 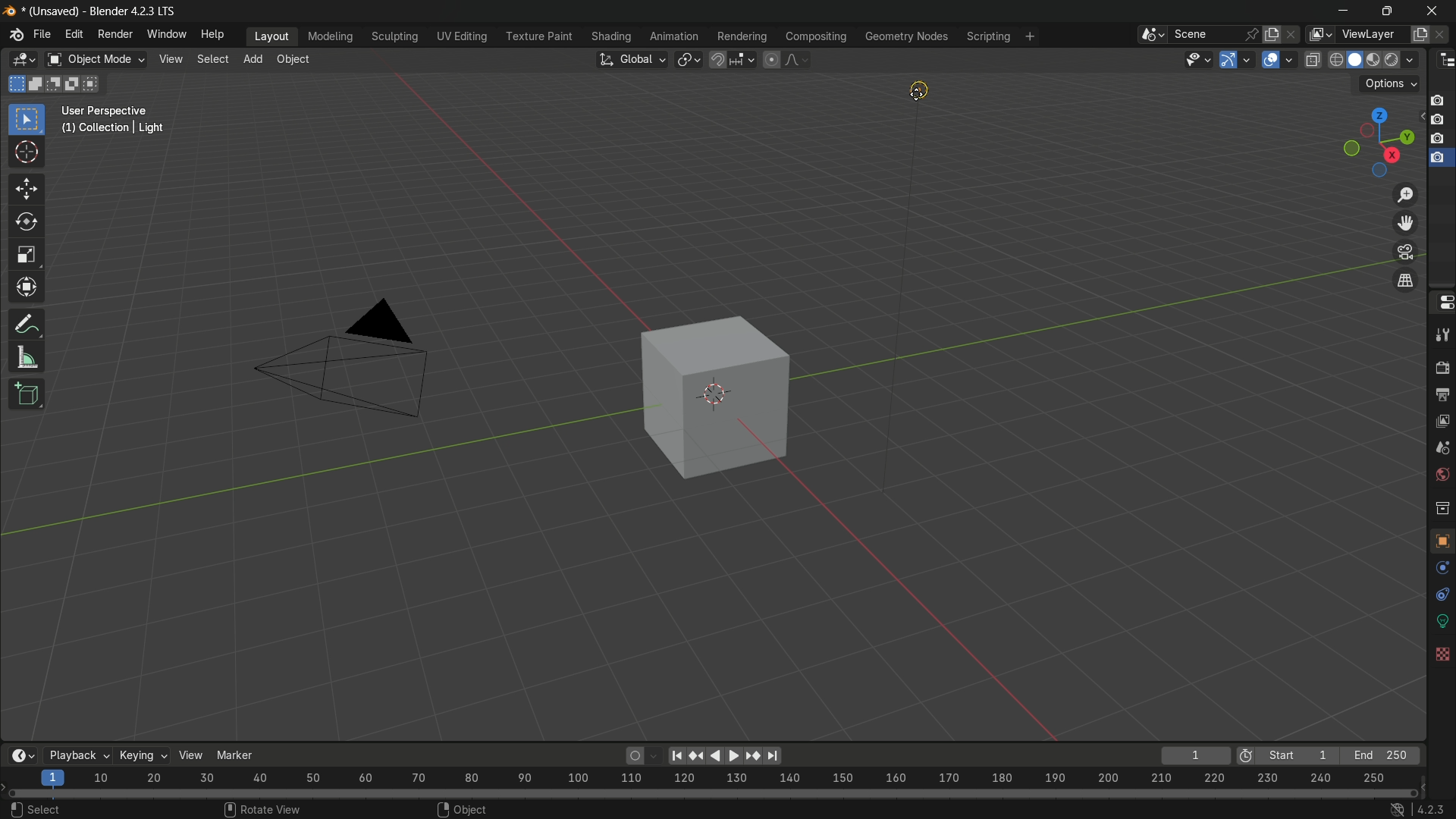 What do you see at coordinates (14, 36) in the screenshot?
I see `logo` at bounding box center [14, 36].